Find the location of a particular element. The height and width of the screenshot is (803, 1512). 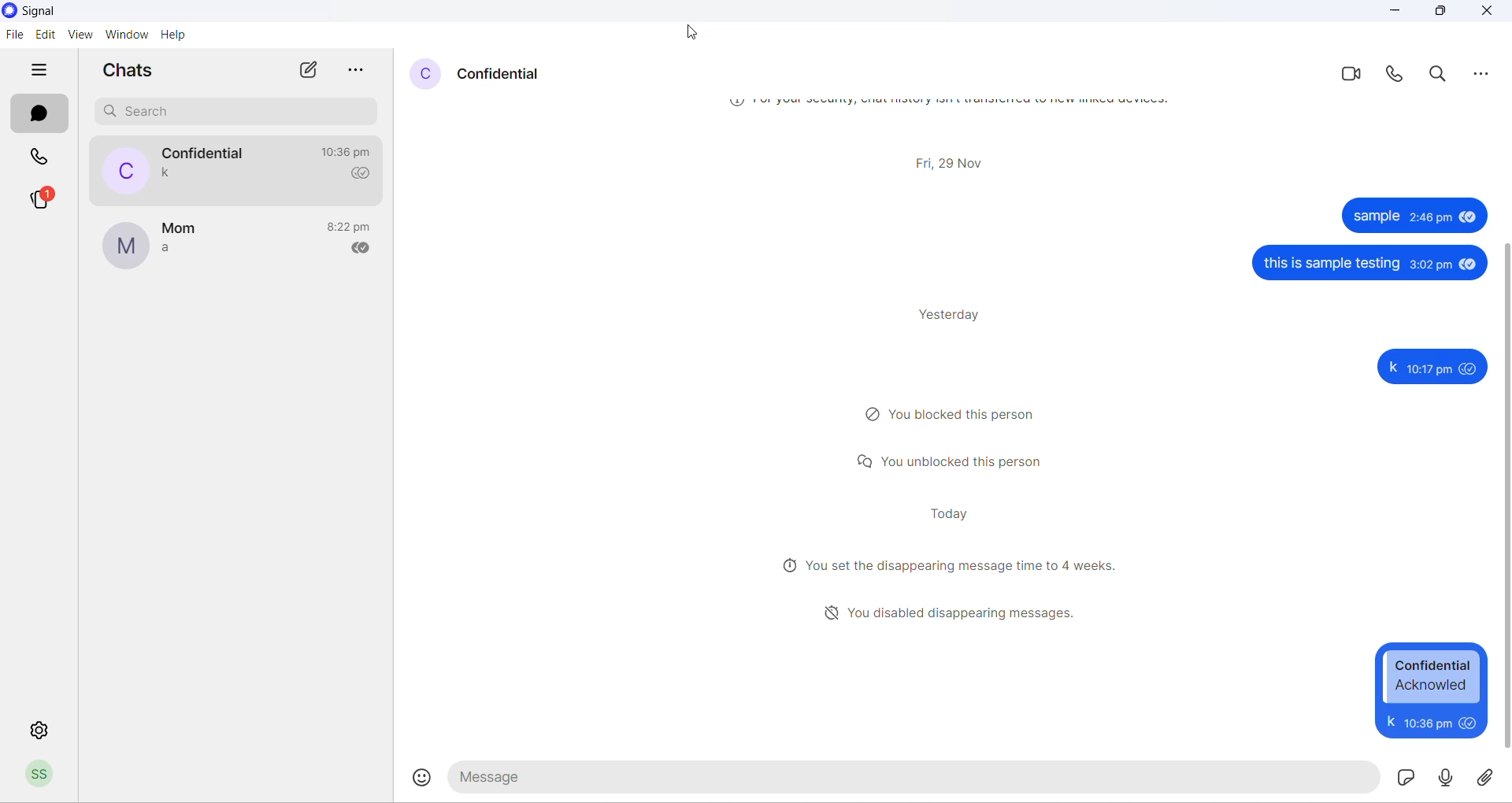

stories is located at coordinates (42, 201).